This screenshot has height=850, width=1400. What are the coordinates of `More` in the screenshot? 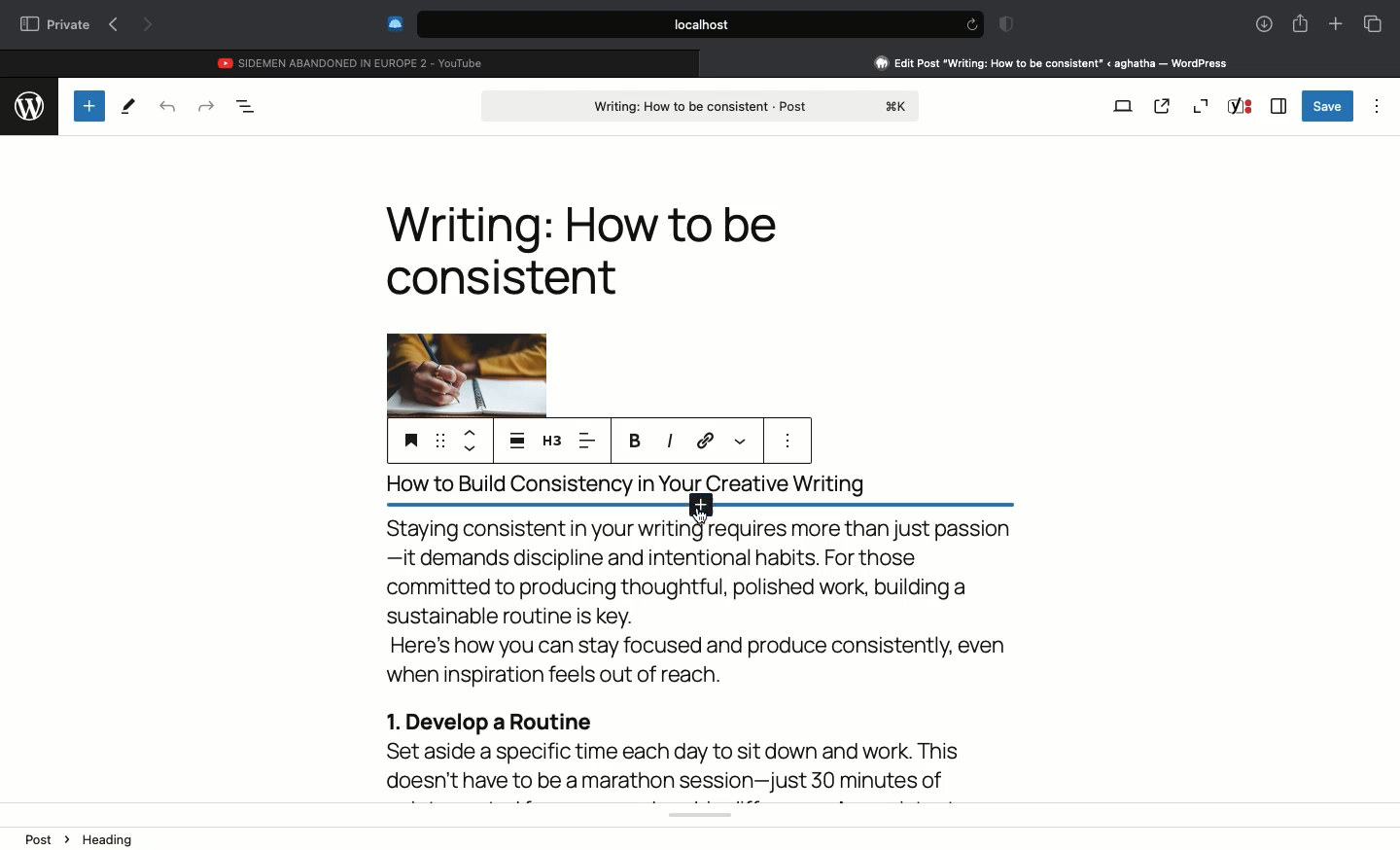 It's located at (742, 441).